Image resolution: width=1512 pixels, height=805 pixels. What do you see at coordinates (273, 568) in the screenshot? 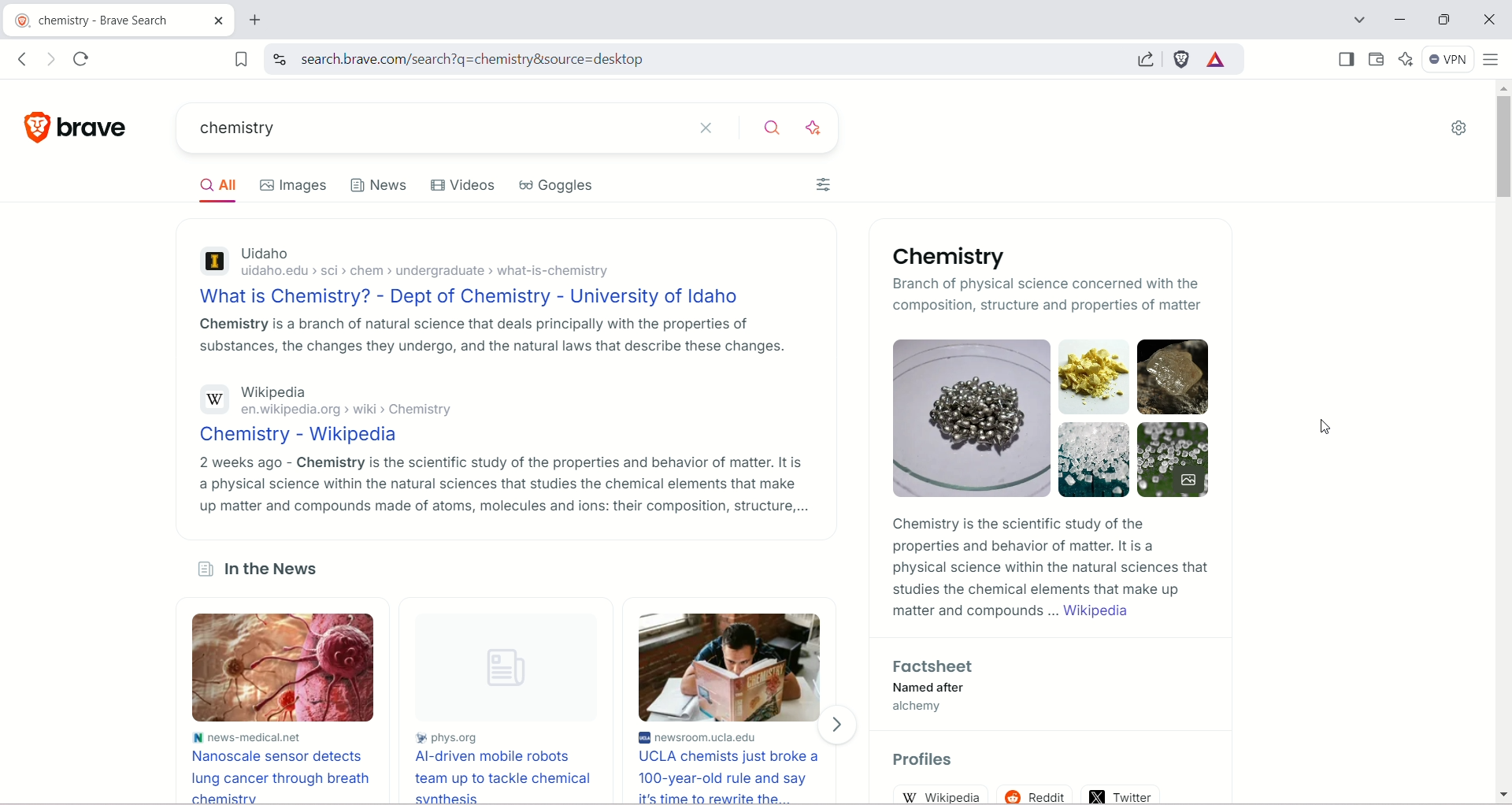
I see `In the News` at bounding box center [273, 568].